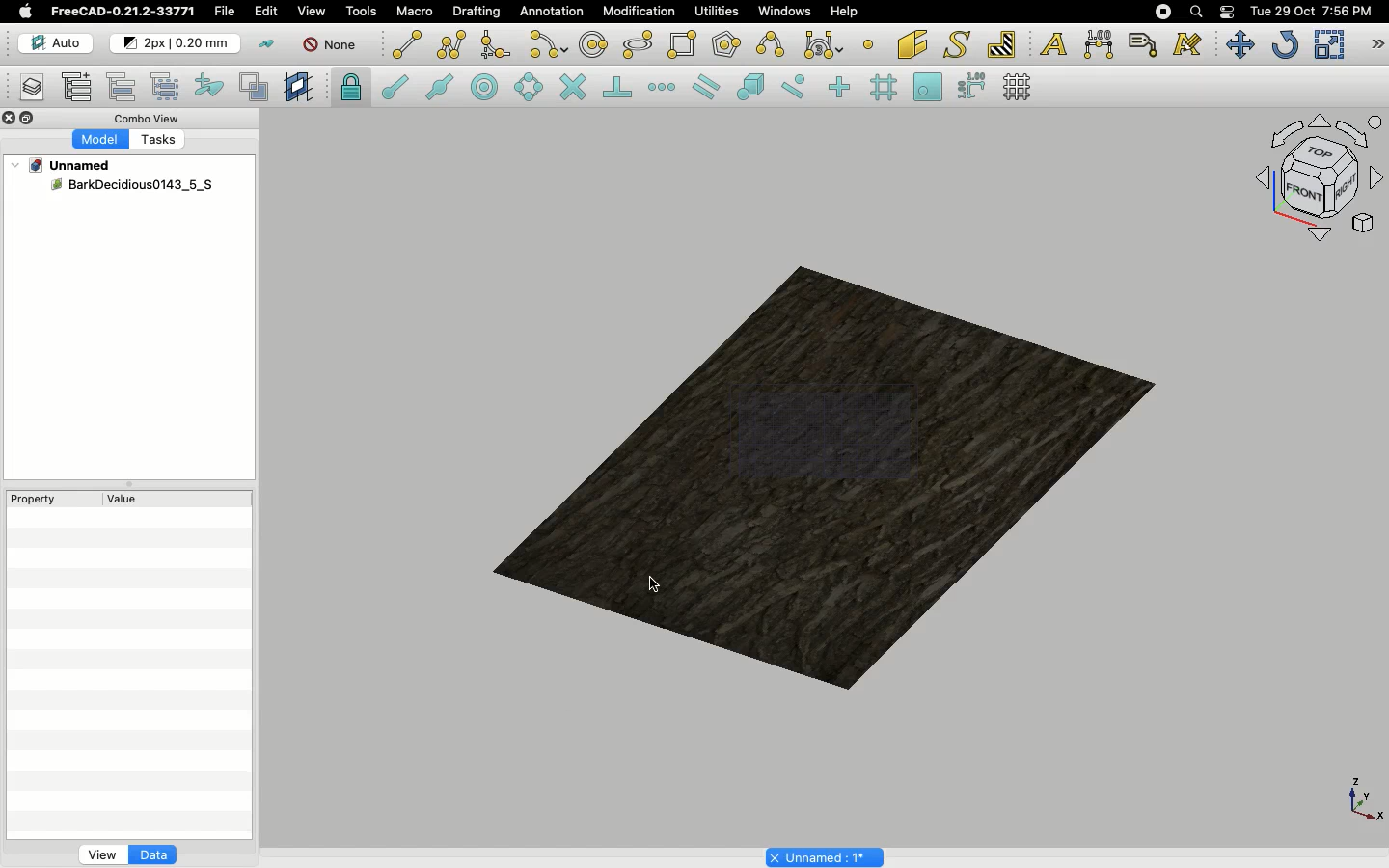 The image size is (1389, 868). I want to click on Add to construction group, so click(210, 84).